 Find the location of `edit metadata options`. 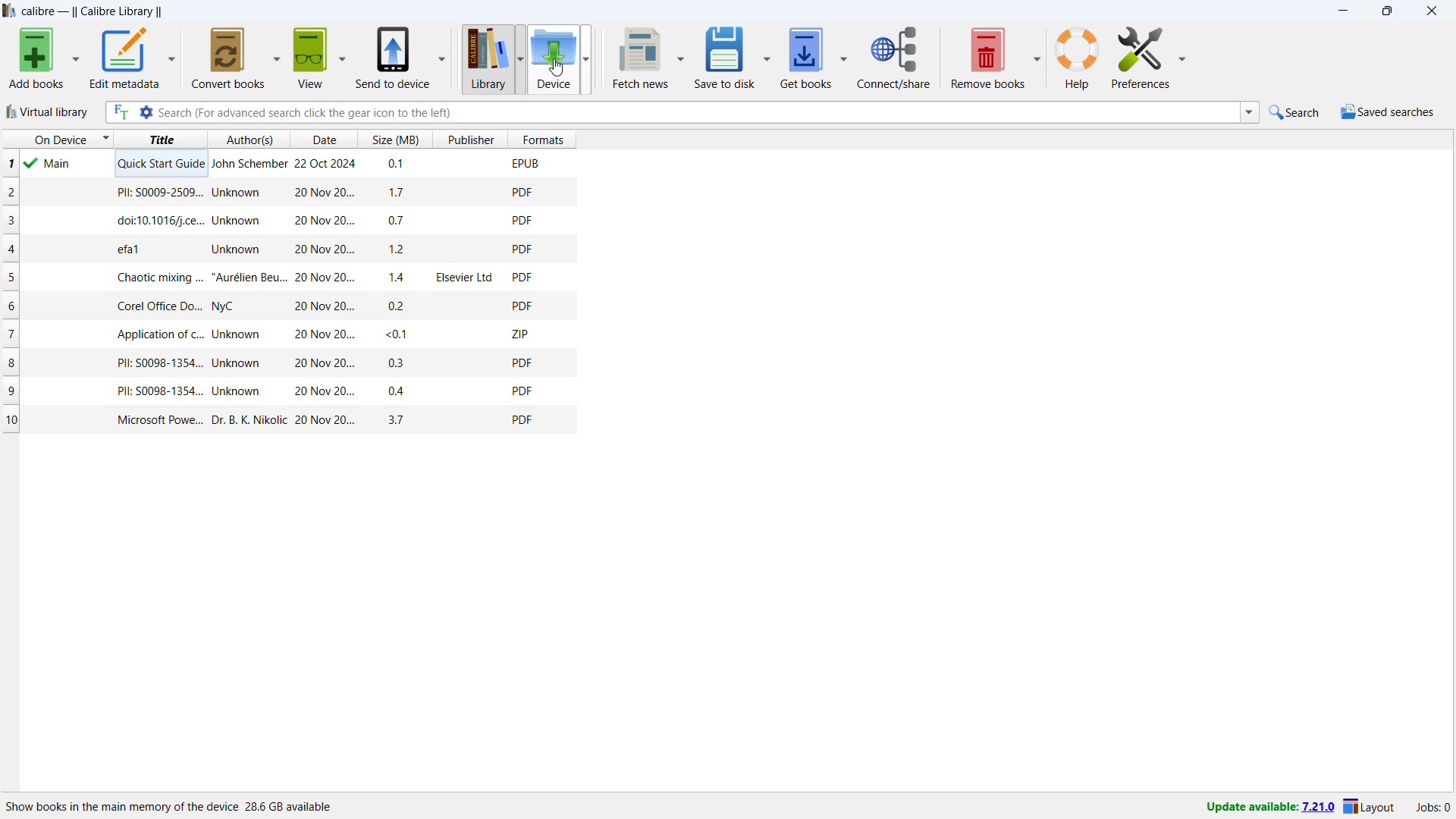

edit metadata options is located at coordinates (172, 60).